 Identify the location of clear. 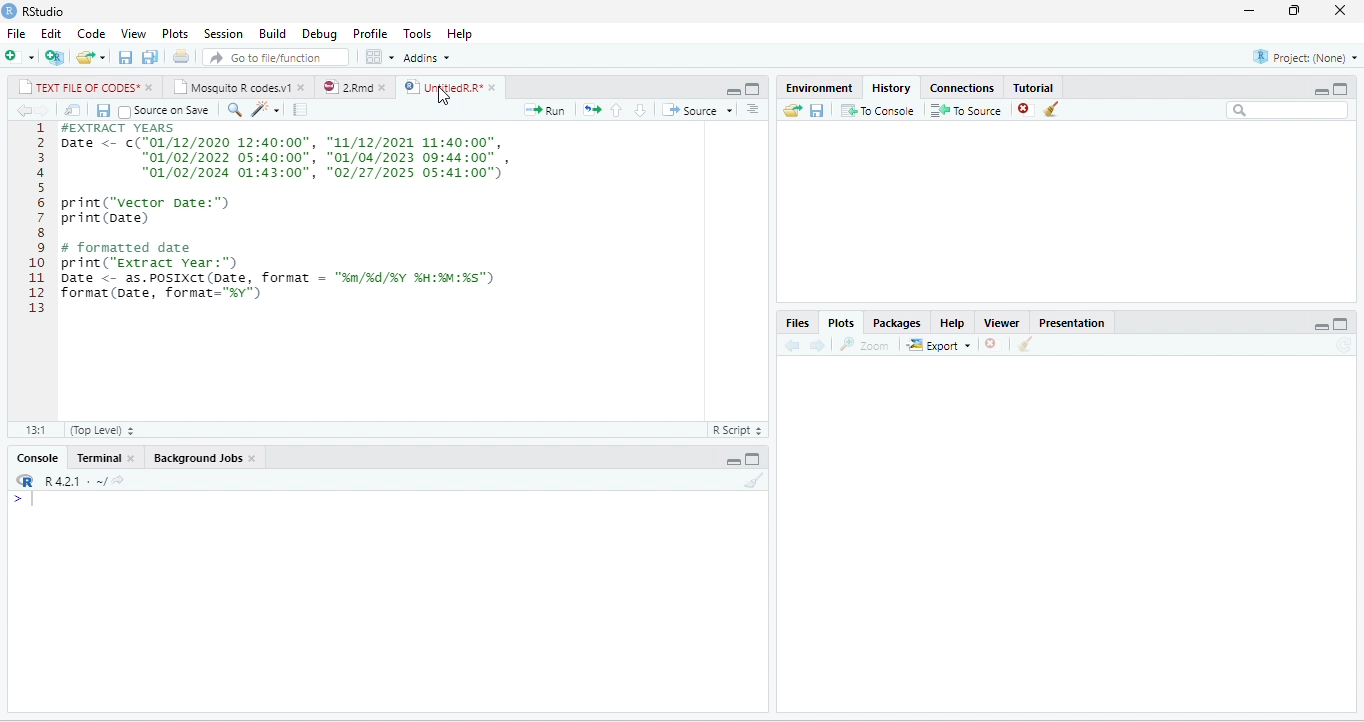
(755, 480).